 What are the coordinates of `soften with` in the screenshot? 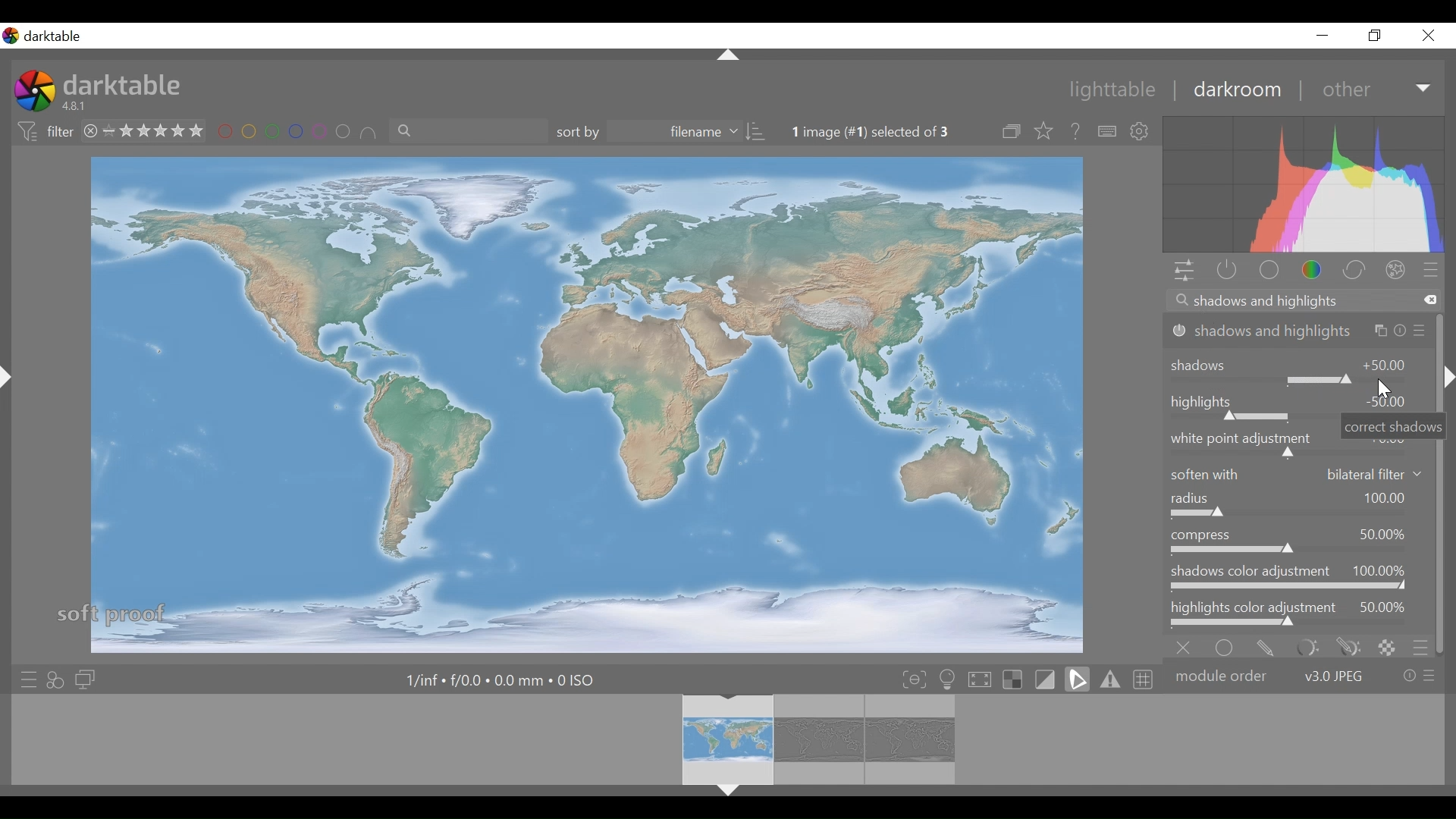 It's located at (1299, 474).